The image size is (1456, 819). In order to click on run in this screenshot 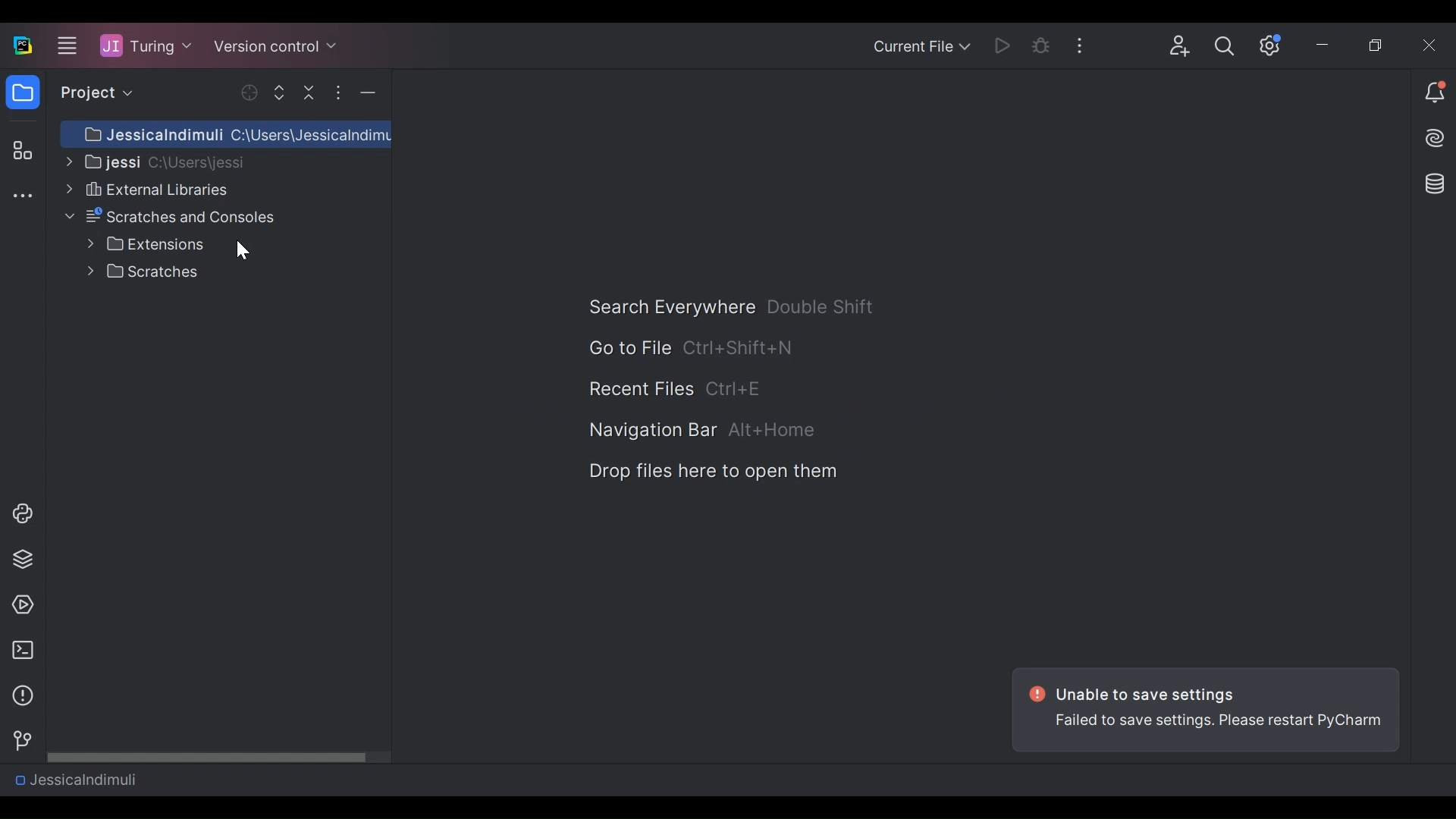, I will do `click(19, 605)`.